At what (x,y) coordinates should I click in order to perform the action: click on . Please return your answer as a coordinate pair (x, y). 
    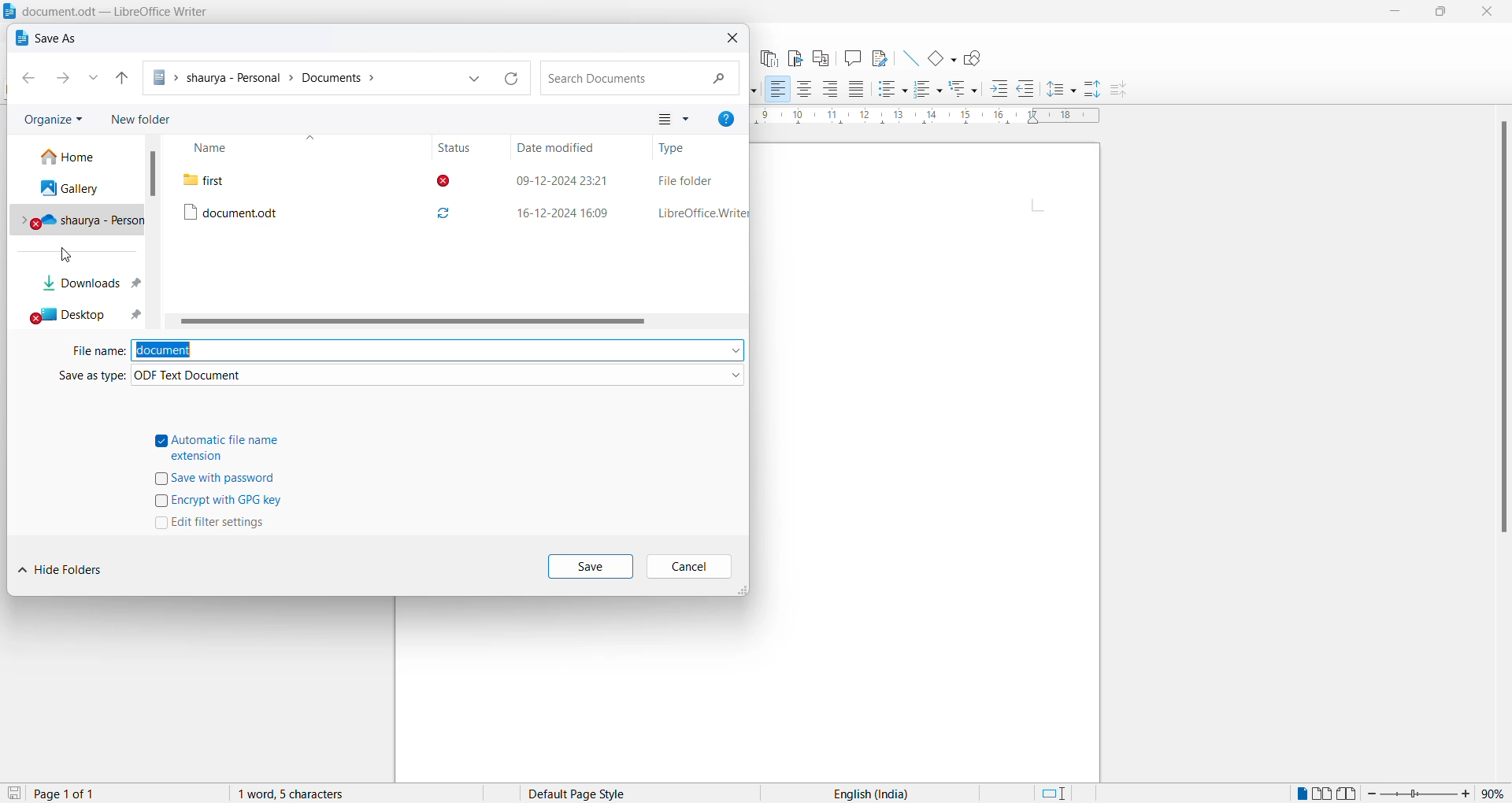
    Looking at the image, I should click on (1026, 90).